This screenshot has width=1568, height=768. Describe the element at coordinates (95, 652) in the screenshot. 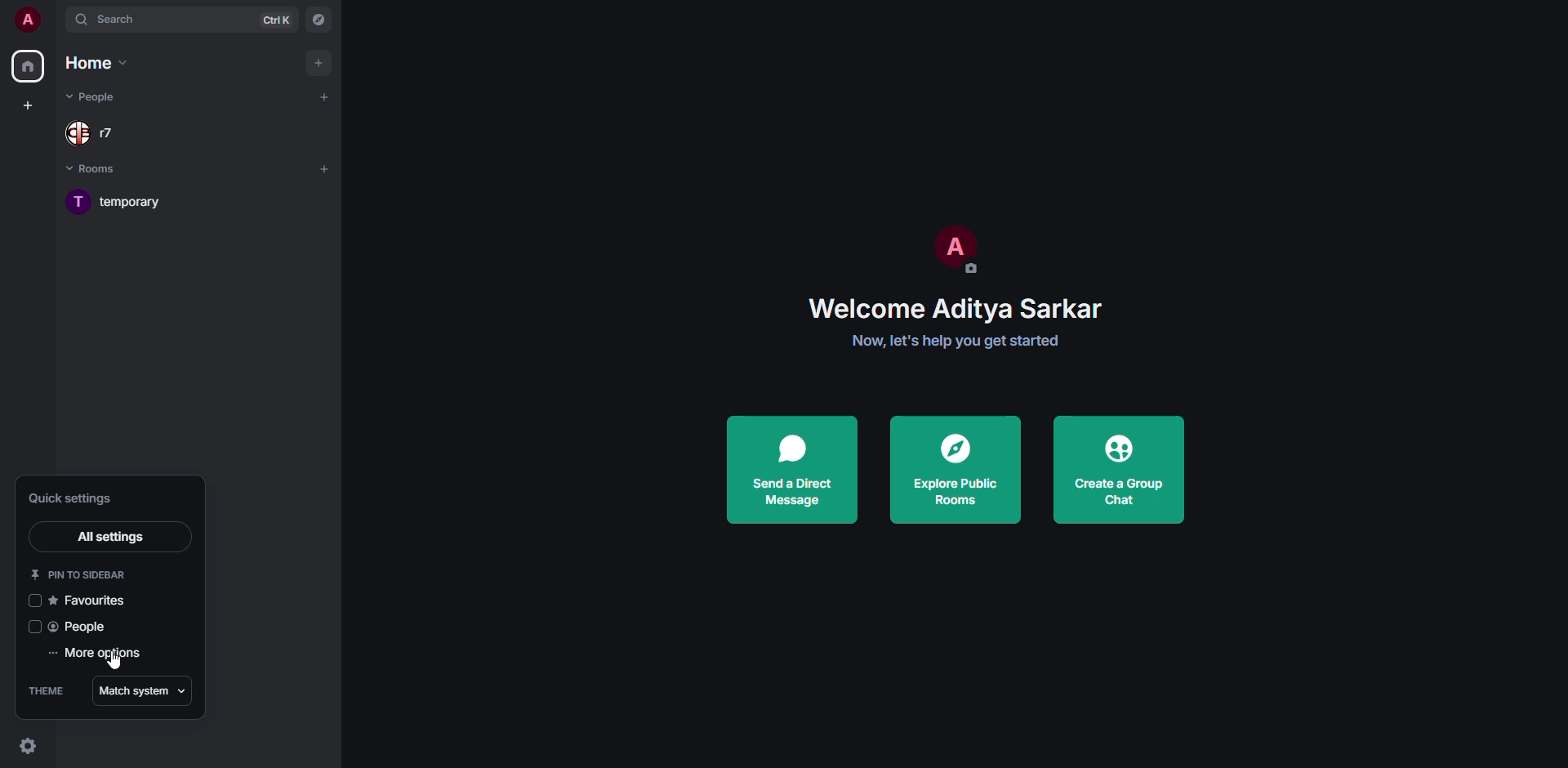

I see `more options` at that location.